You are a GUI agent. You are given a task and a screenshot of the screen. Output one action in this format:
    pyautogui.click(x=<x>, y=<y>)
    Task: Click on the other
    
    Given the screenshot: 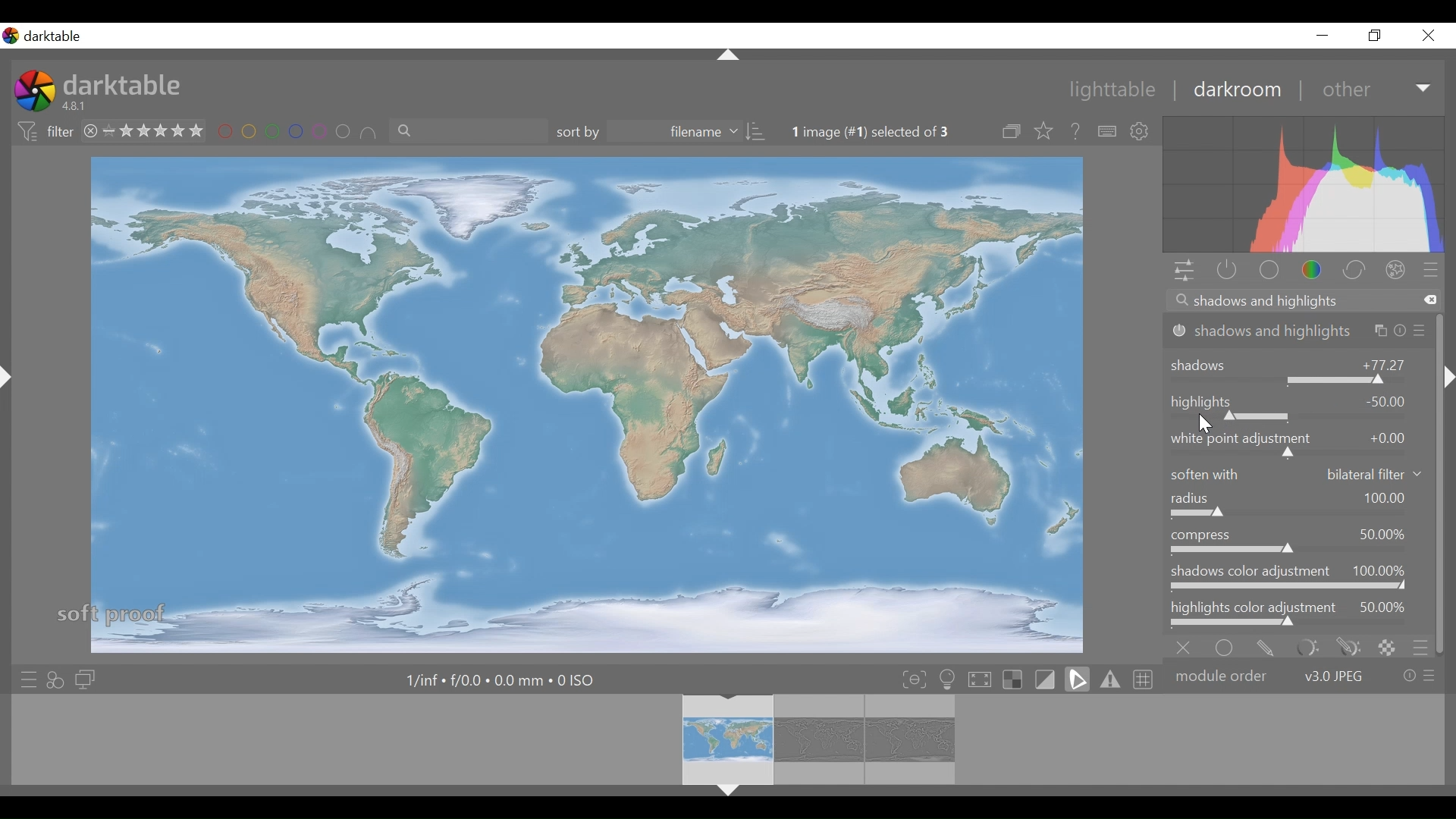 What is the action you would take?
    pyautogui.click(x=1373, y=89)
    